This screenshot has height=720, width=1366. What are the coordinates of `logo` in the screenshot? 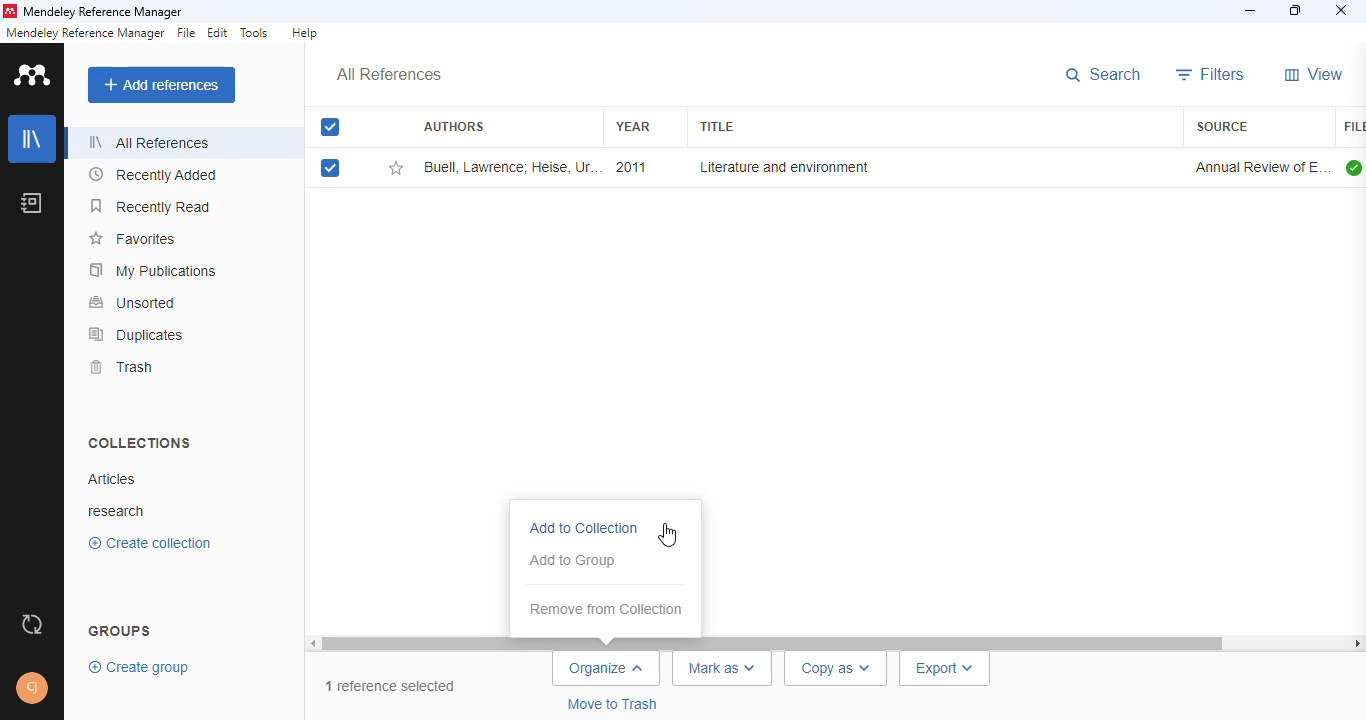 It's located at (9, 11).